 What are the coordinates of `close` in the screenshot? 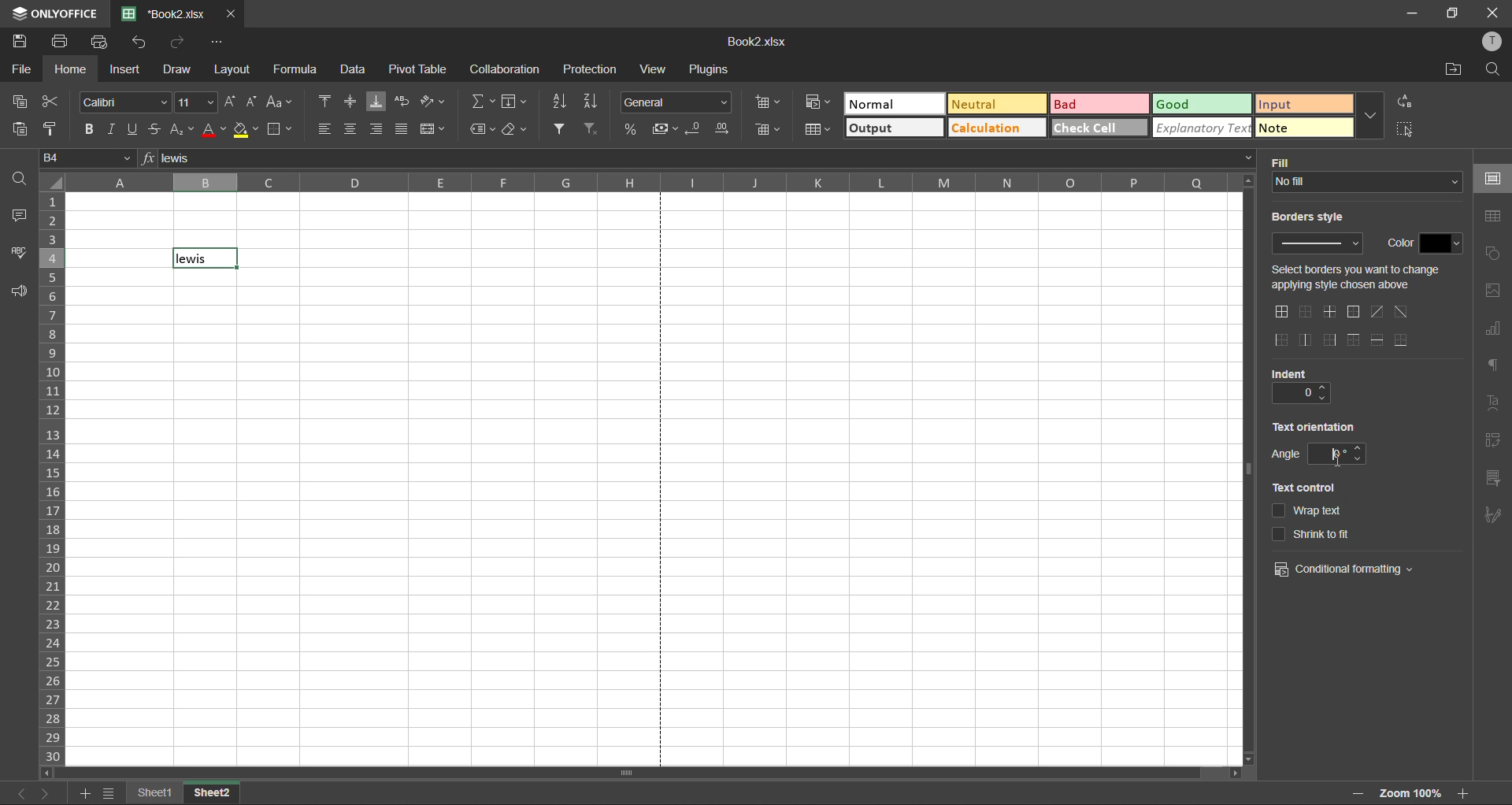 It's located at (1495, 13).